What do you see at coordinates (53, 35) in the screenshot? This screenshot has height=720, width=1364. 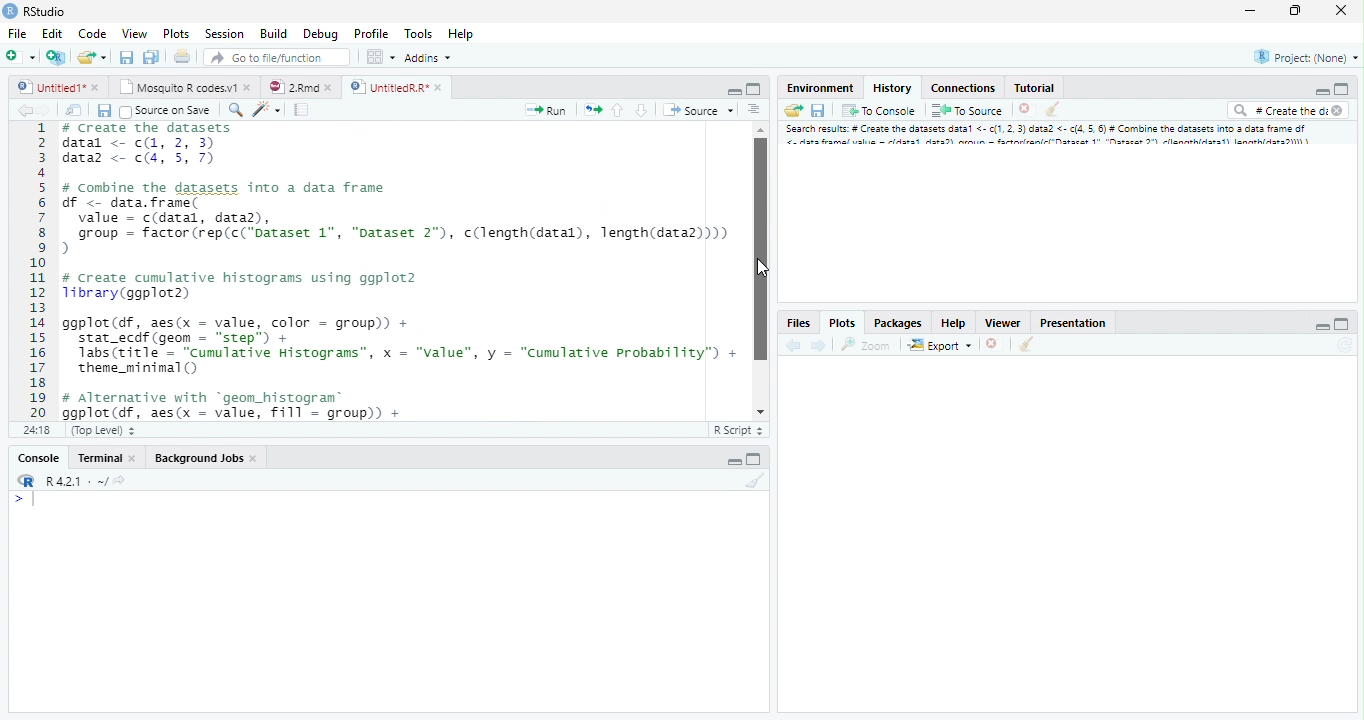 I see `Edit` at bounding box center [53, 35].